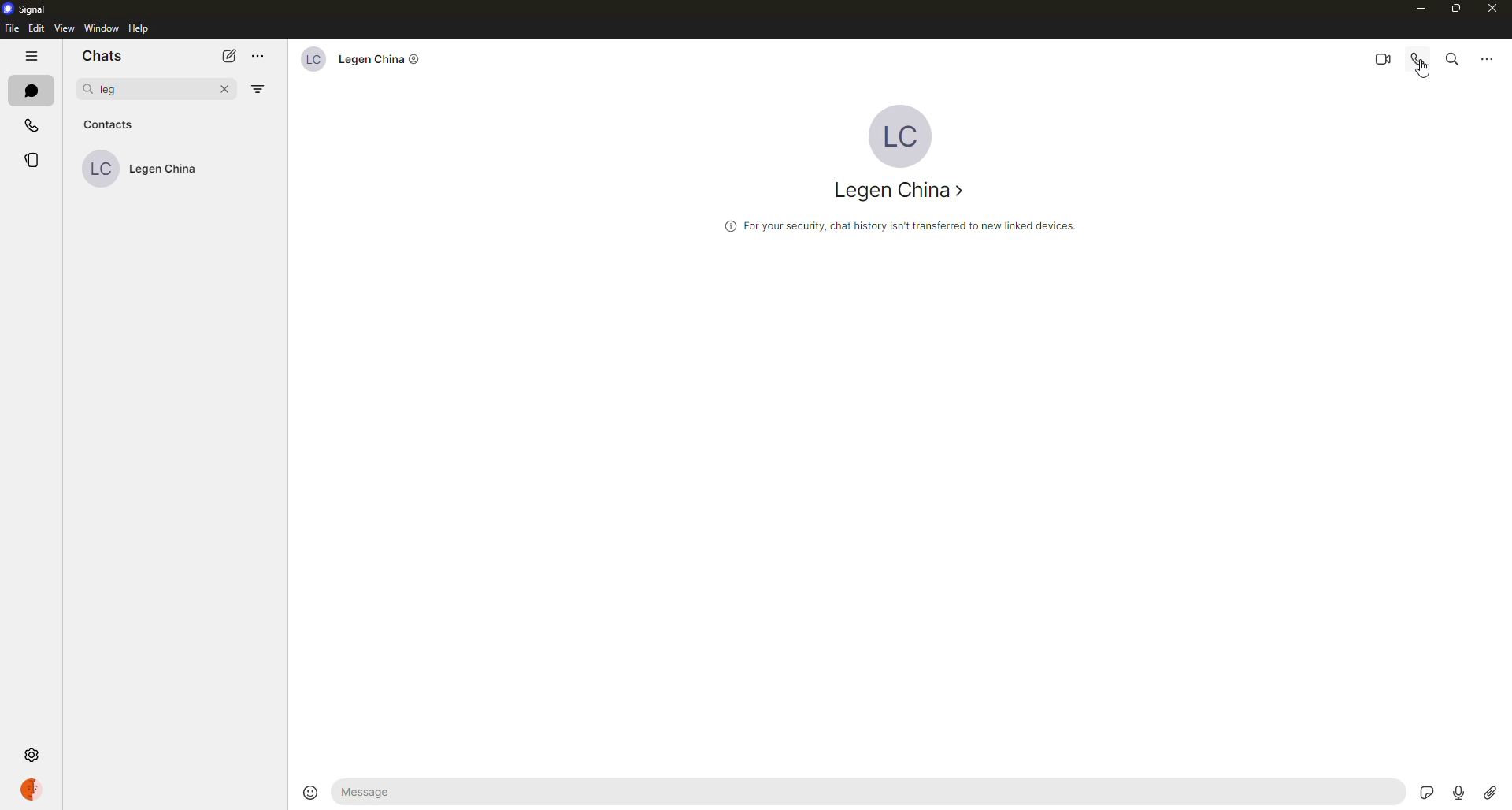 The height and width of the screenshot is (810, 1512). What do you see at coordinates (12, 29) in the screenshot?
I see `file` at bounding box center [12, 29].